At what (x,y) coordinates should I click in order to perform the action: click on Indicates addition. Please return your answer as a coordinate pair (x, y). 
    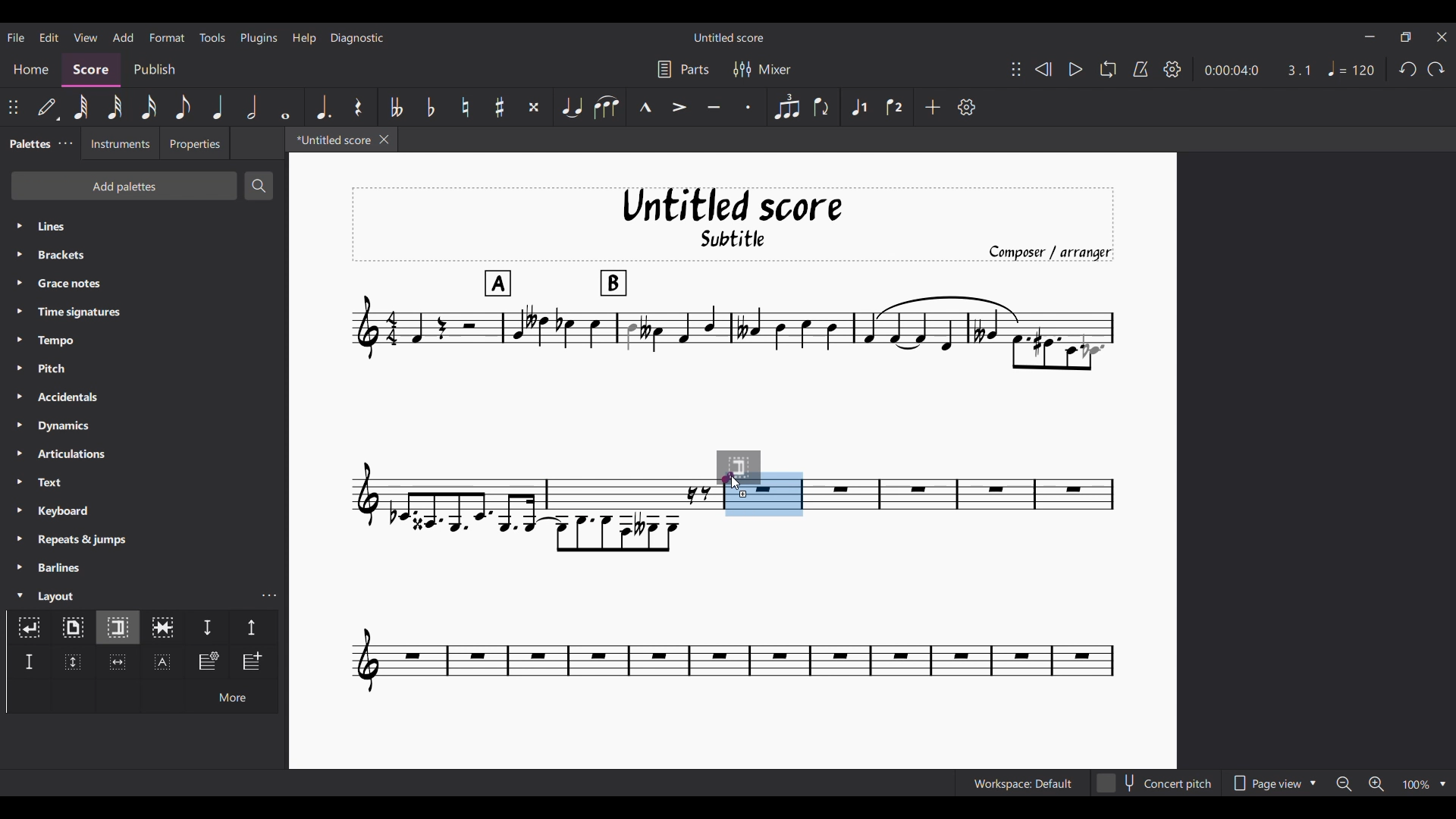
    Looking at the image, I should click on (743, 494).